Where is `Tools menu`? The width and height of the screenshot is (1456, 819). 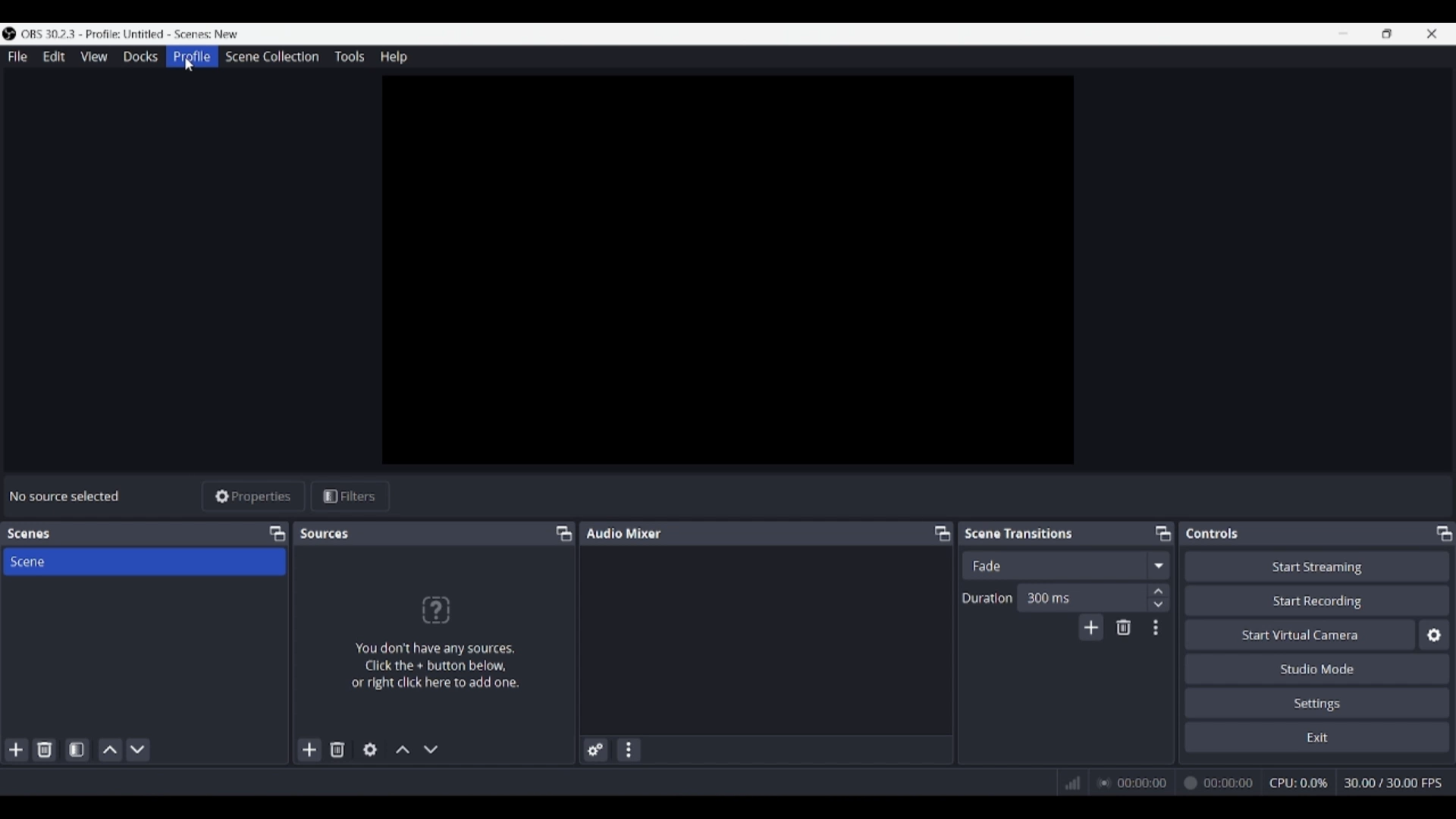
Tools menu is located at coordinates (349, 56).